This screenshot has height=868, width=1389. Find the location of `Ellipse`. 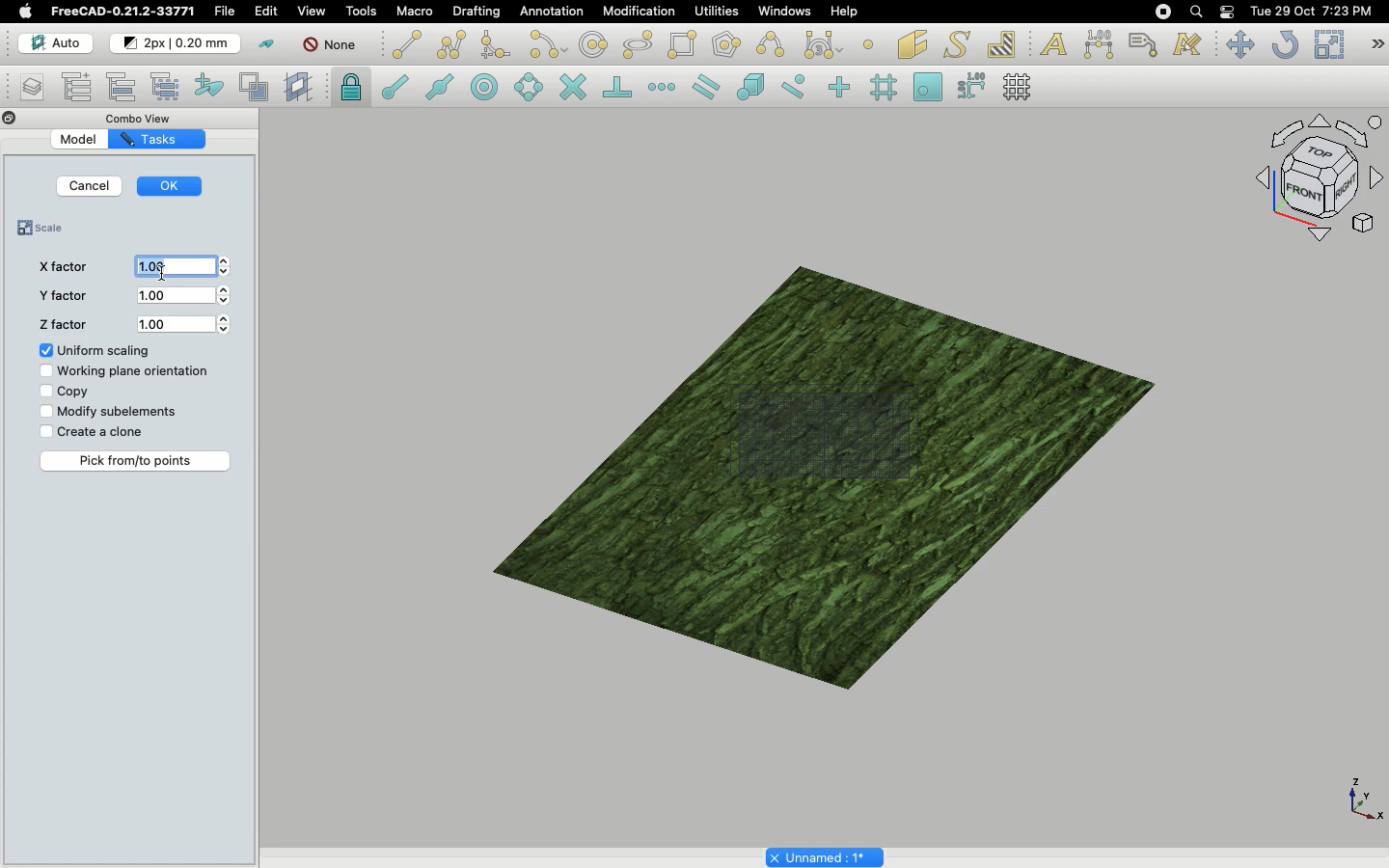

Ellipse is located at coordinates (636, 43).